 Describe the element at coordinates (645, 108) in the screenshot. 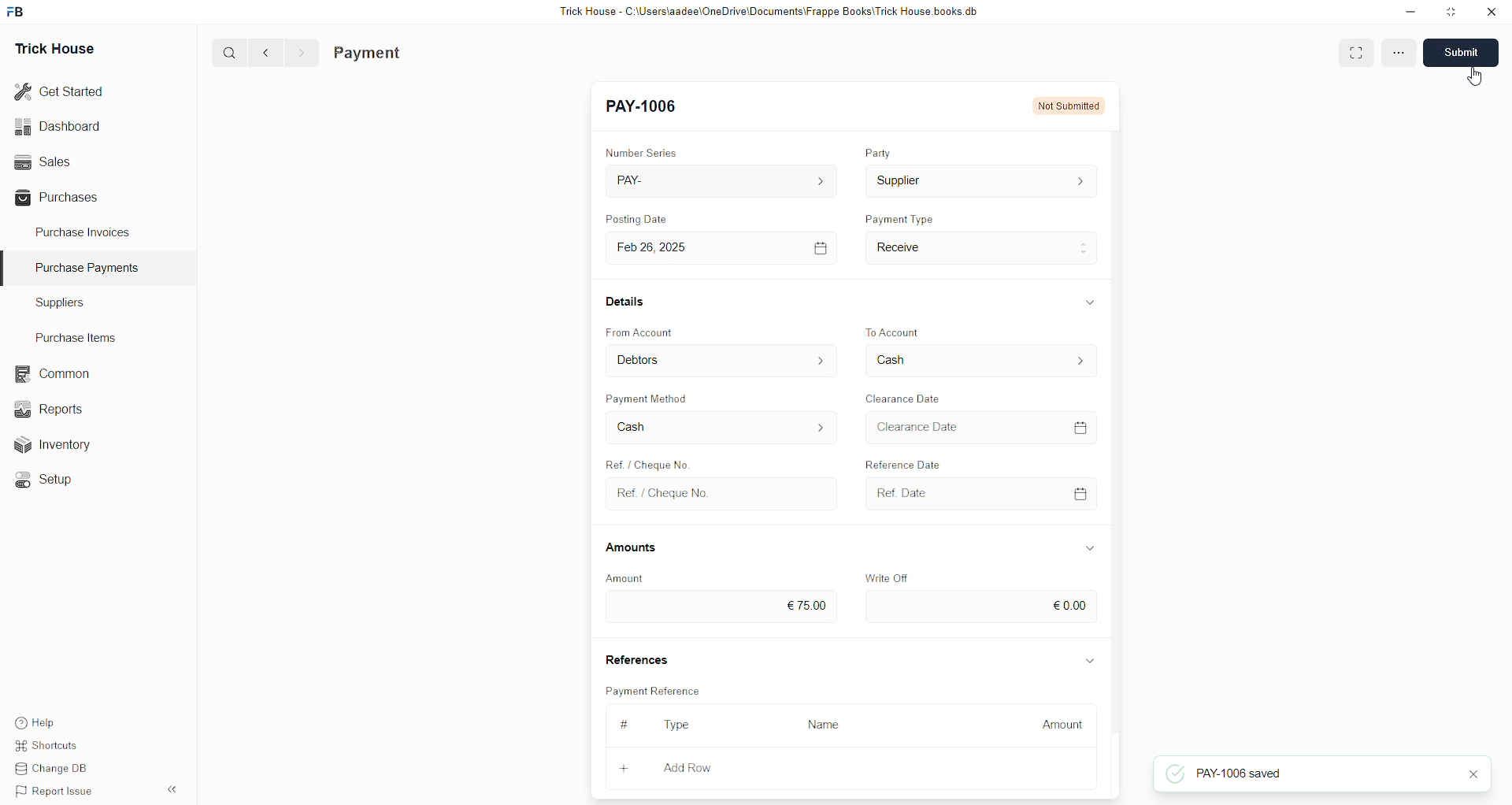

I see `PAY-1006` at that location.